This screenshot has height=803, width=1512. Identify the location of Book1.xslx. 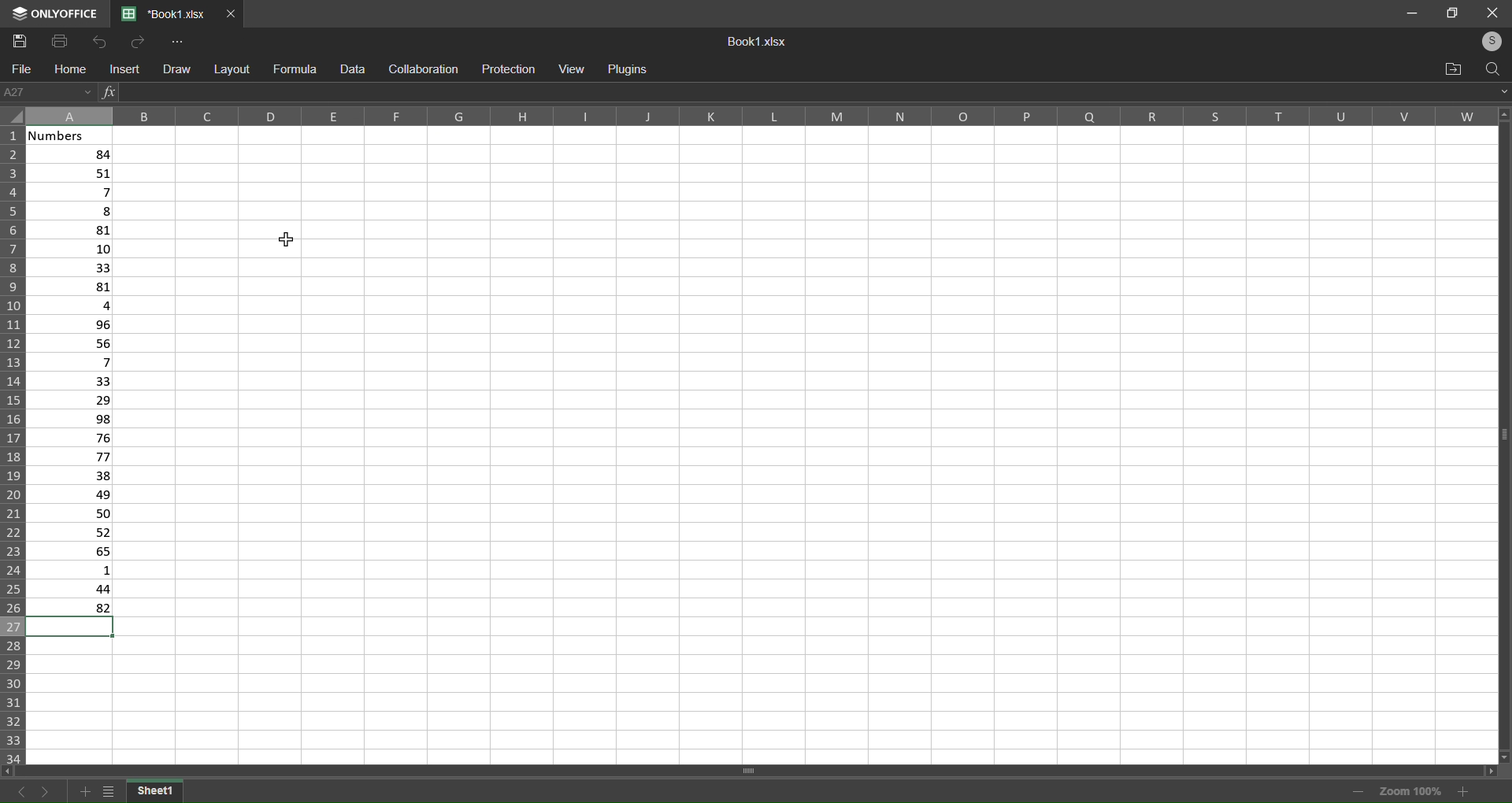
(761, 40).